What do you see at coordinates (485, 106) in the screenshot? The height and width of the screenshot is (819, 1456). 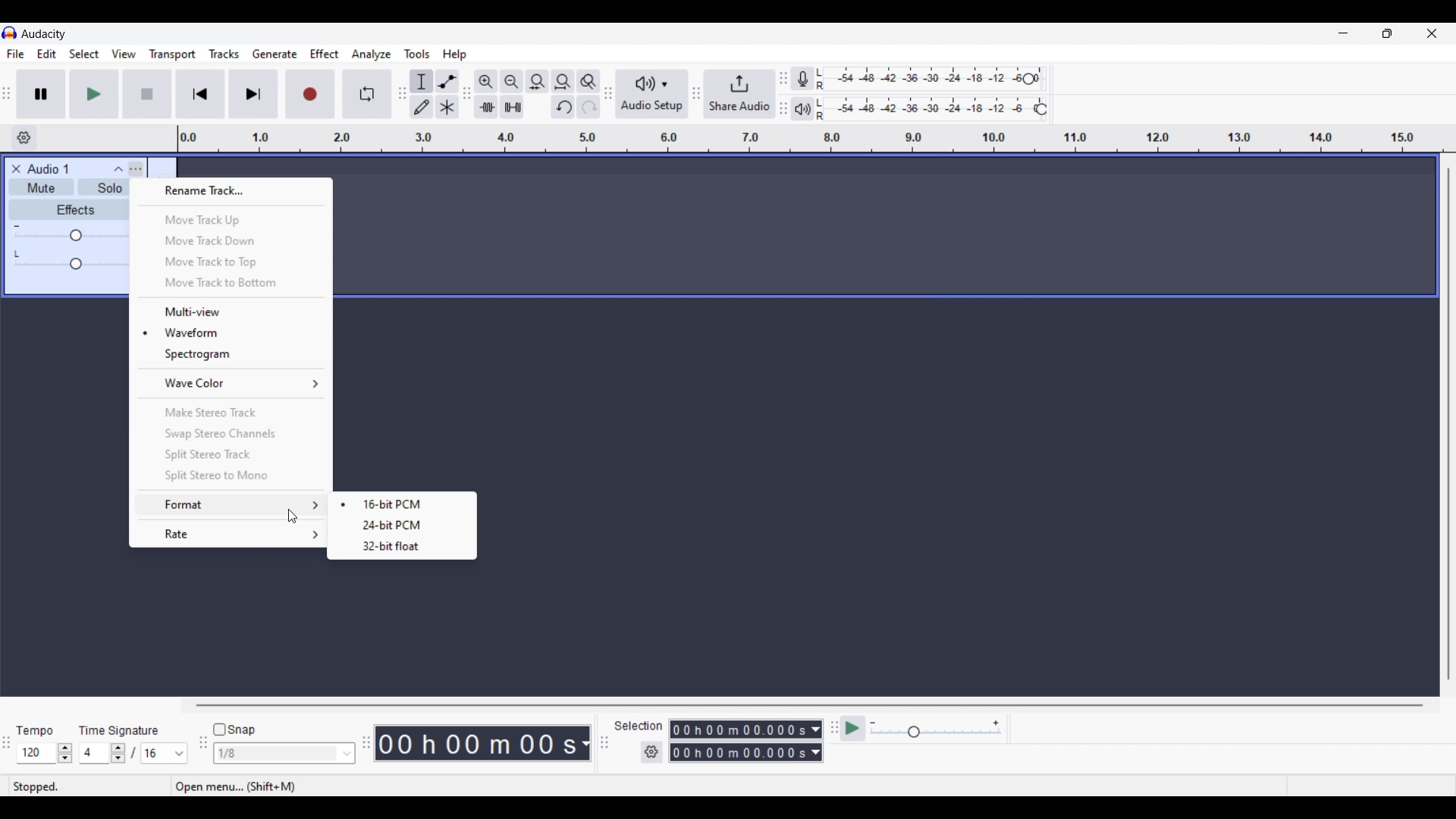 I see `Trim audio outside selection` at bounding box center [485, 106].